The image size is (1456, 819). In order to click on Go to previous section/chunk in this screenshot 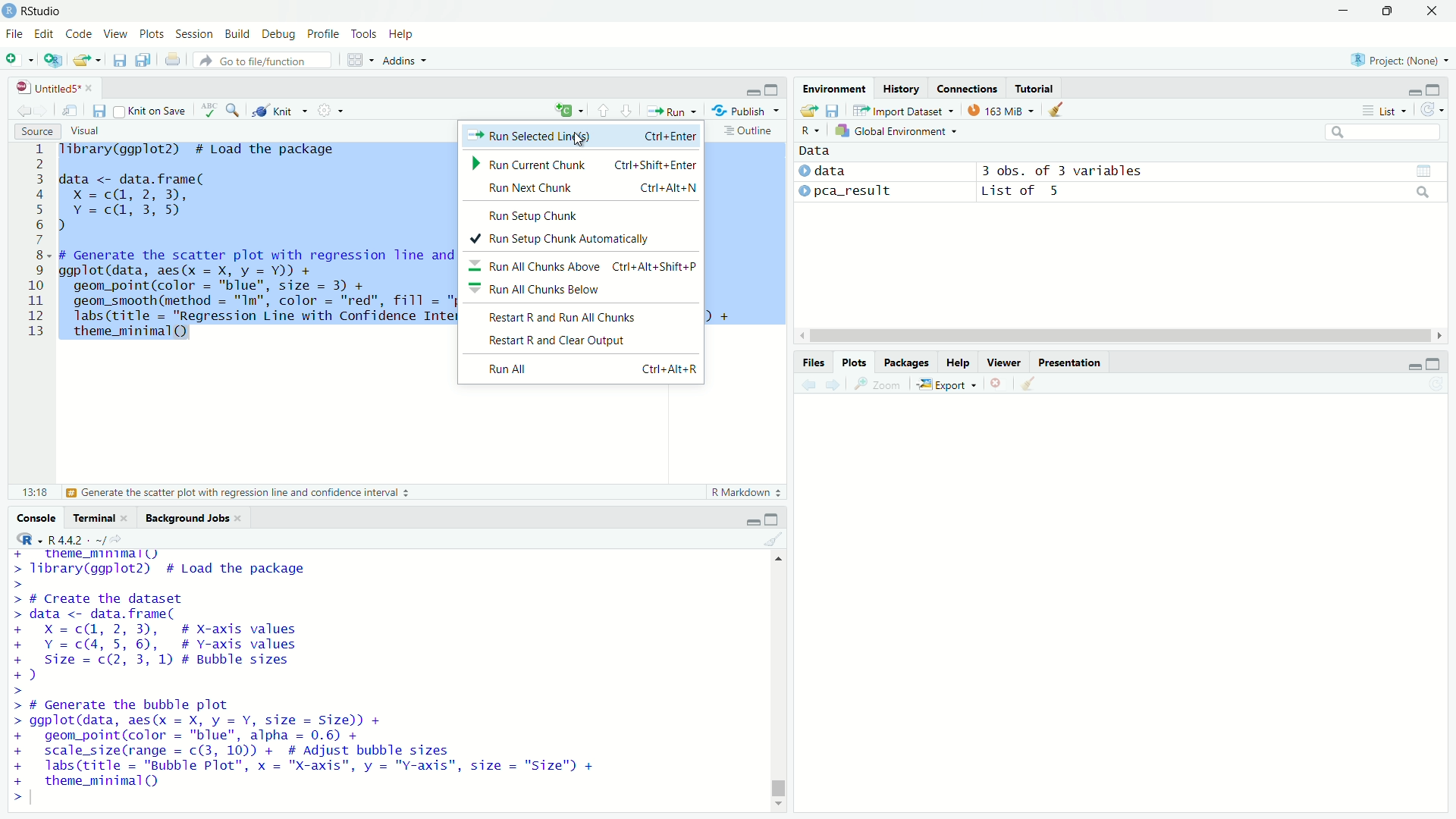, I will do `click(601, 109)`.